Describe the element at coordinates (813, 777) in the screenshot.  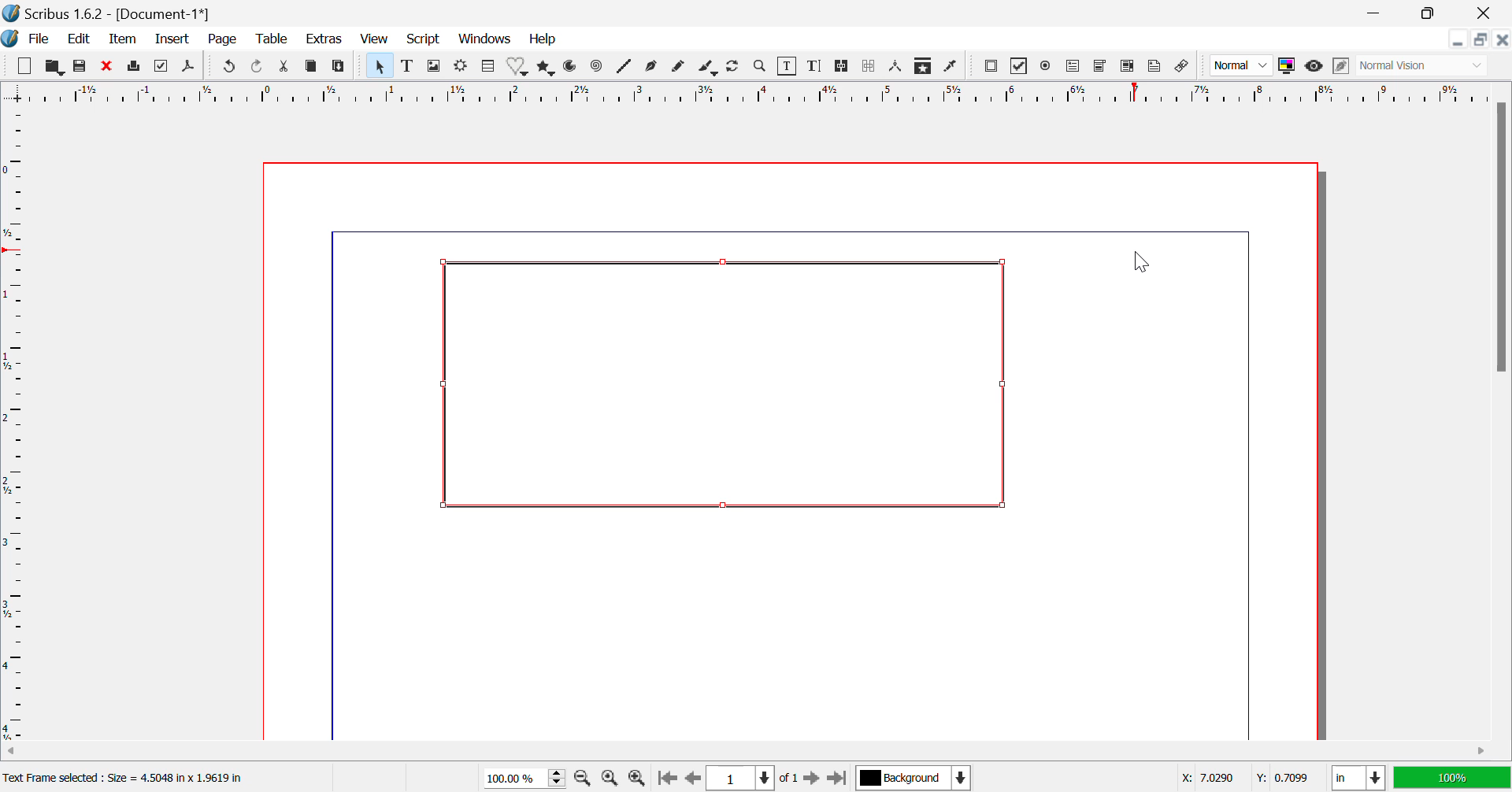
I see `Next Page` at that location.